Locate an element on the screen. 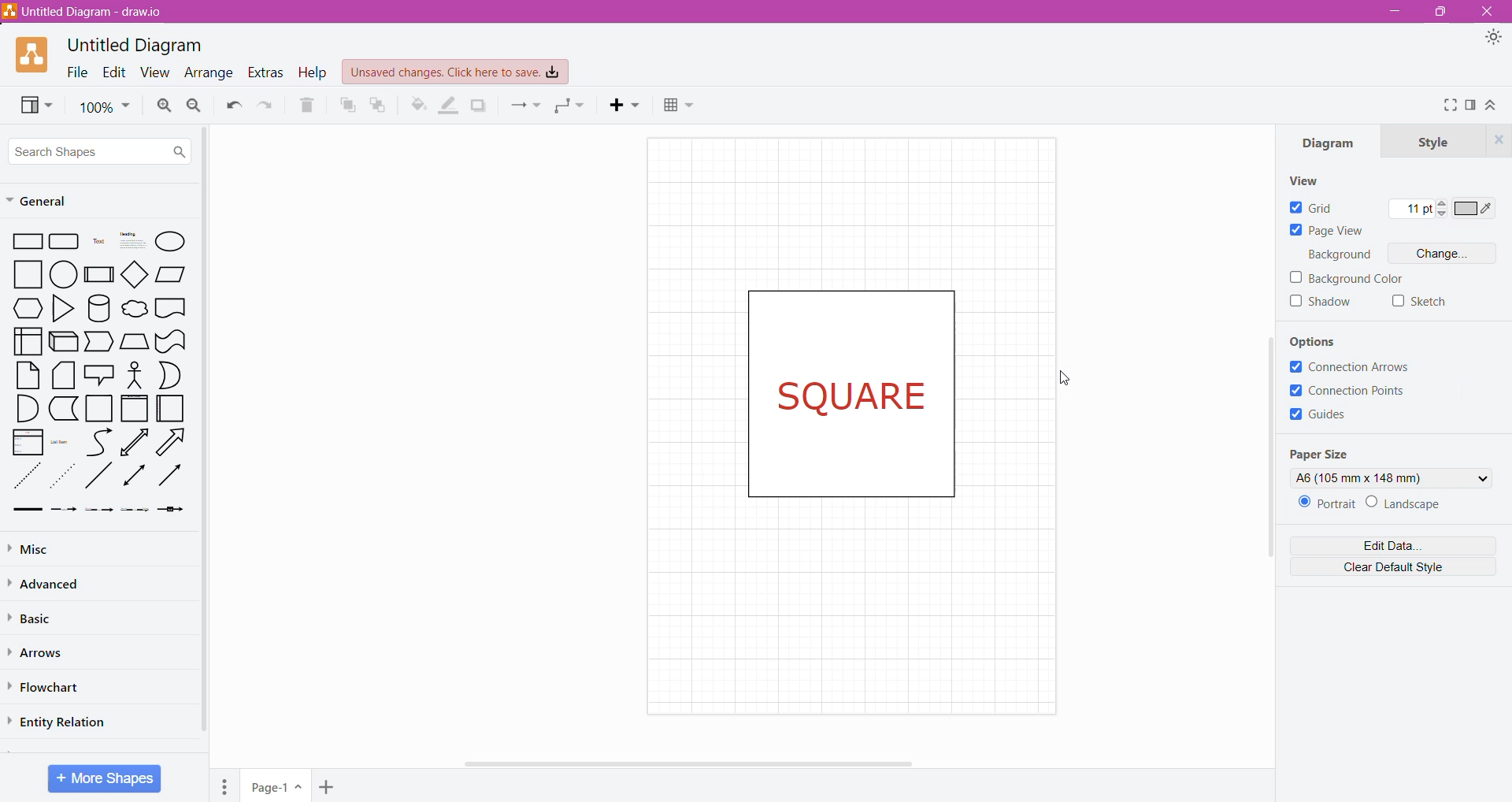  View is located at coordinates (35, 104).